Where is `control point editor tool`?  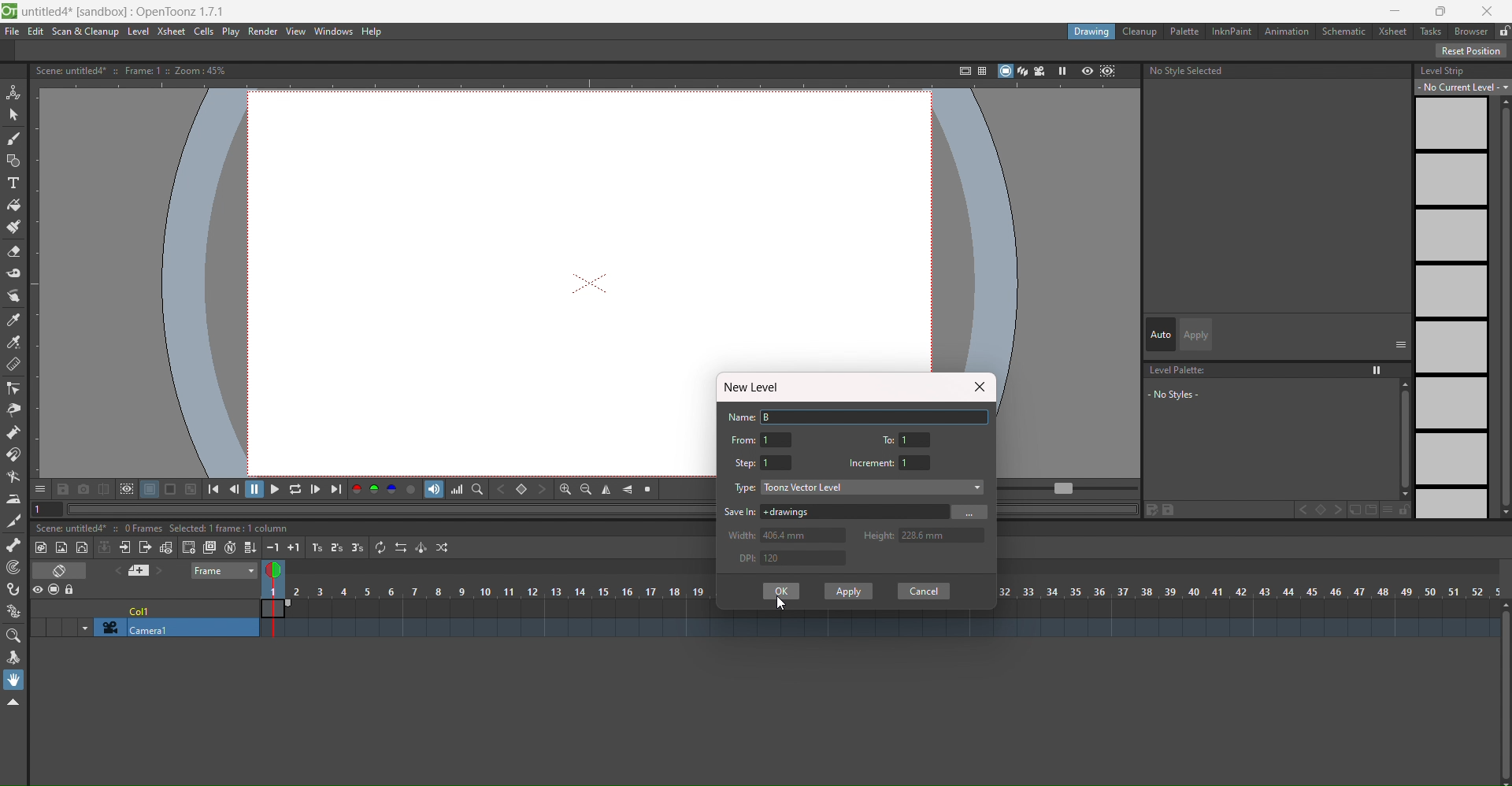 control point editor tool is located at coordinates (13, 388).